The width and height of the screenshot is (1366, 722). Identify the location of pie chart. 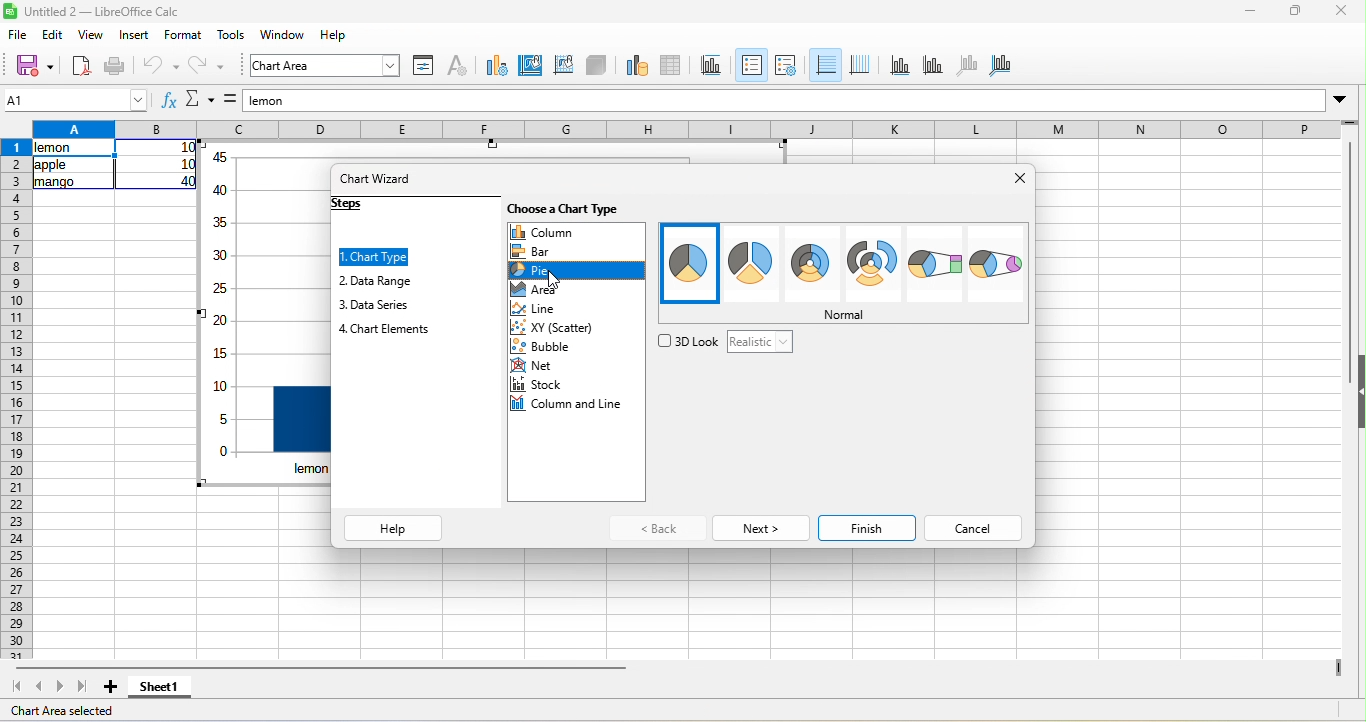
(691, 265).